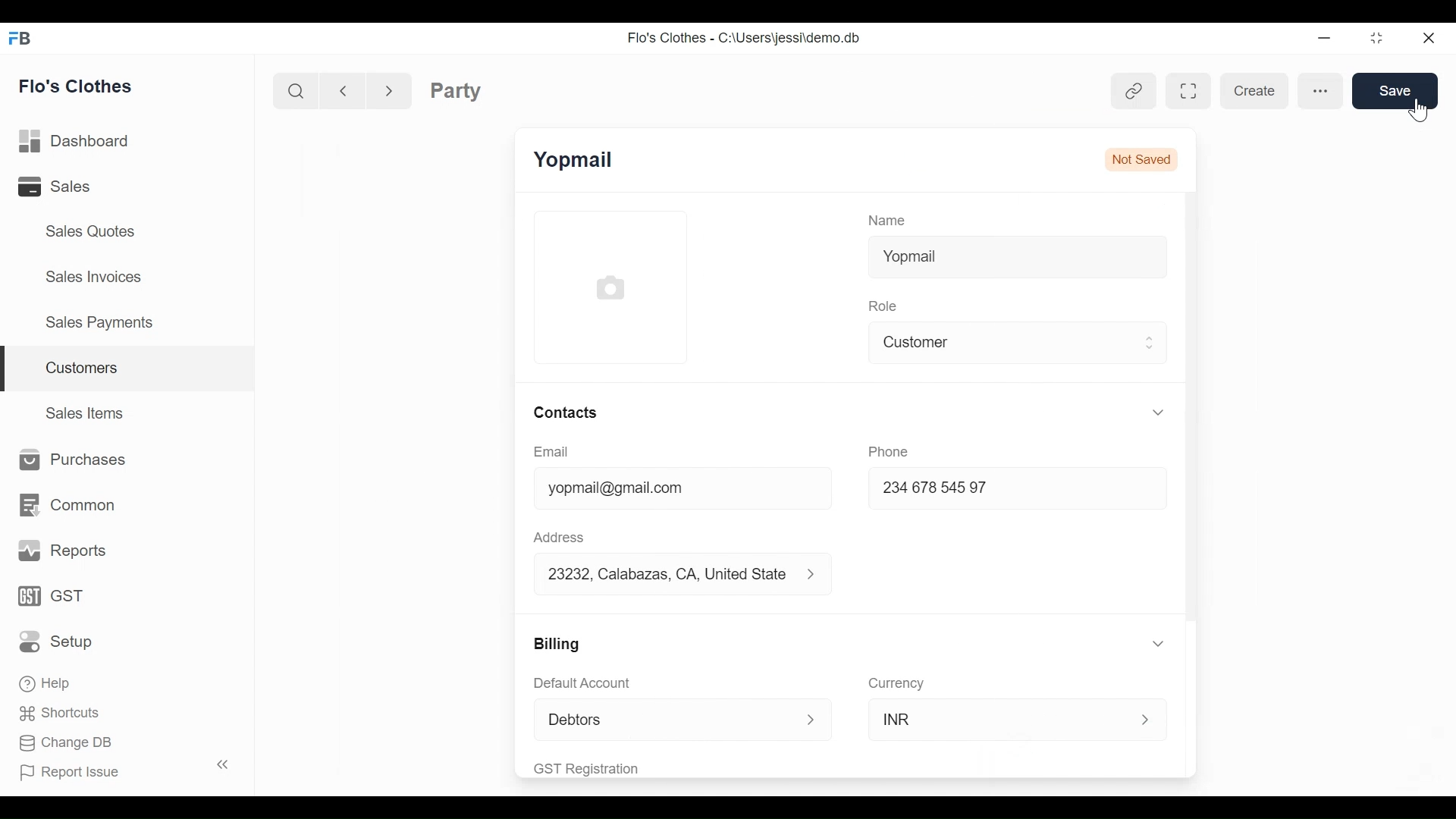 This screenshot has height=819, width=1456. I want to click on 234678 54597, so click(980, 490).